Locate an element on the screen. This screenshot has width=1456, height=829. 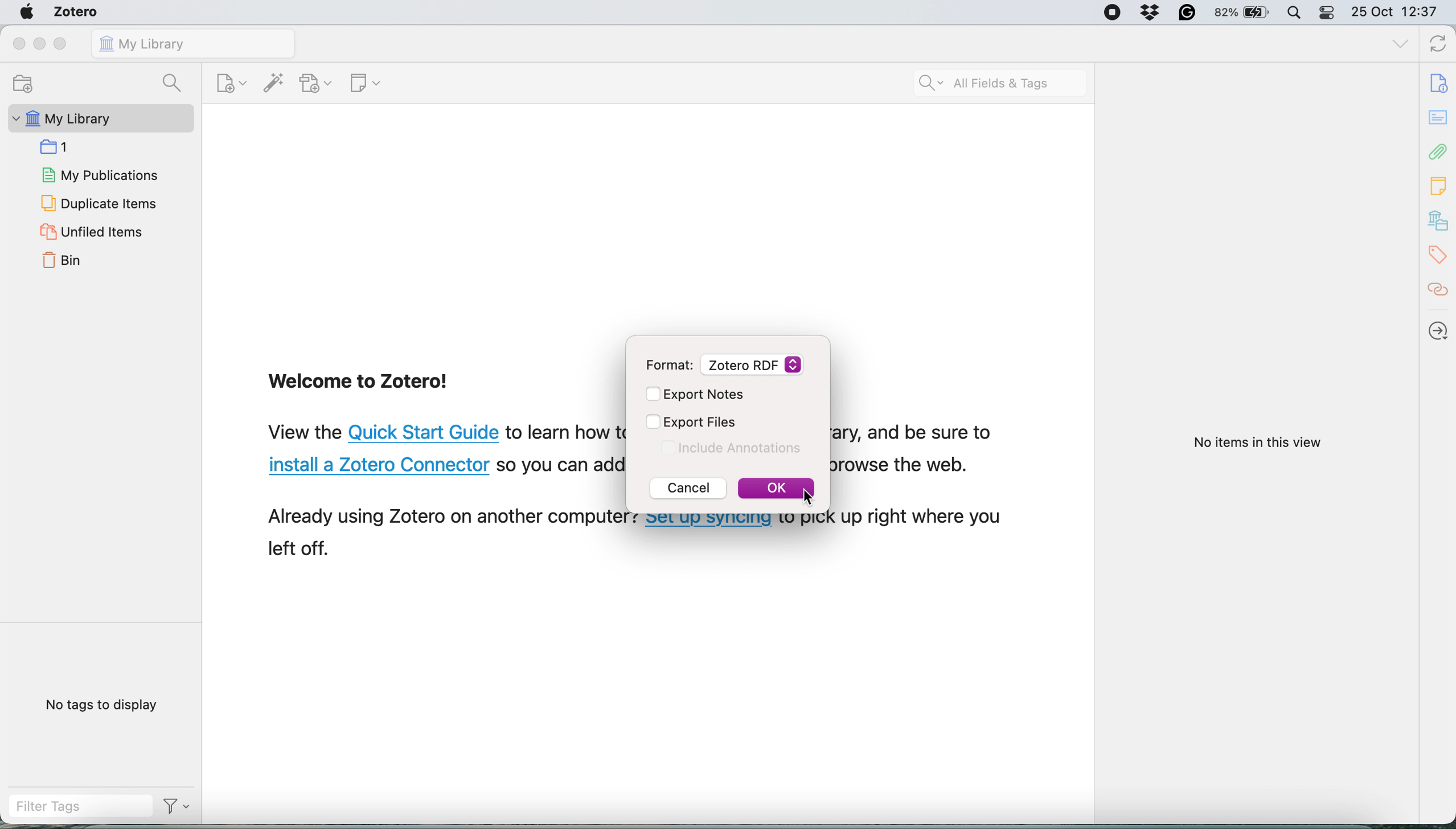
my publications is located at coordinates (98, 175).